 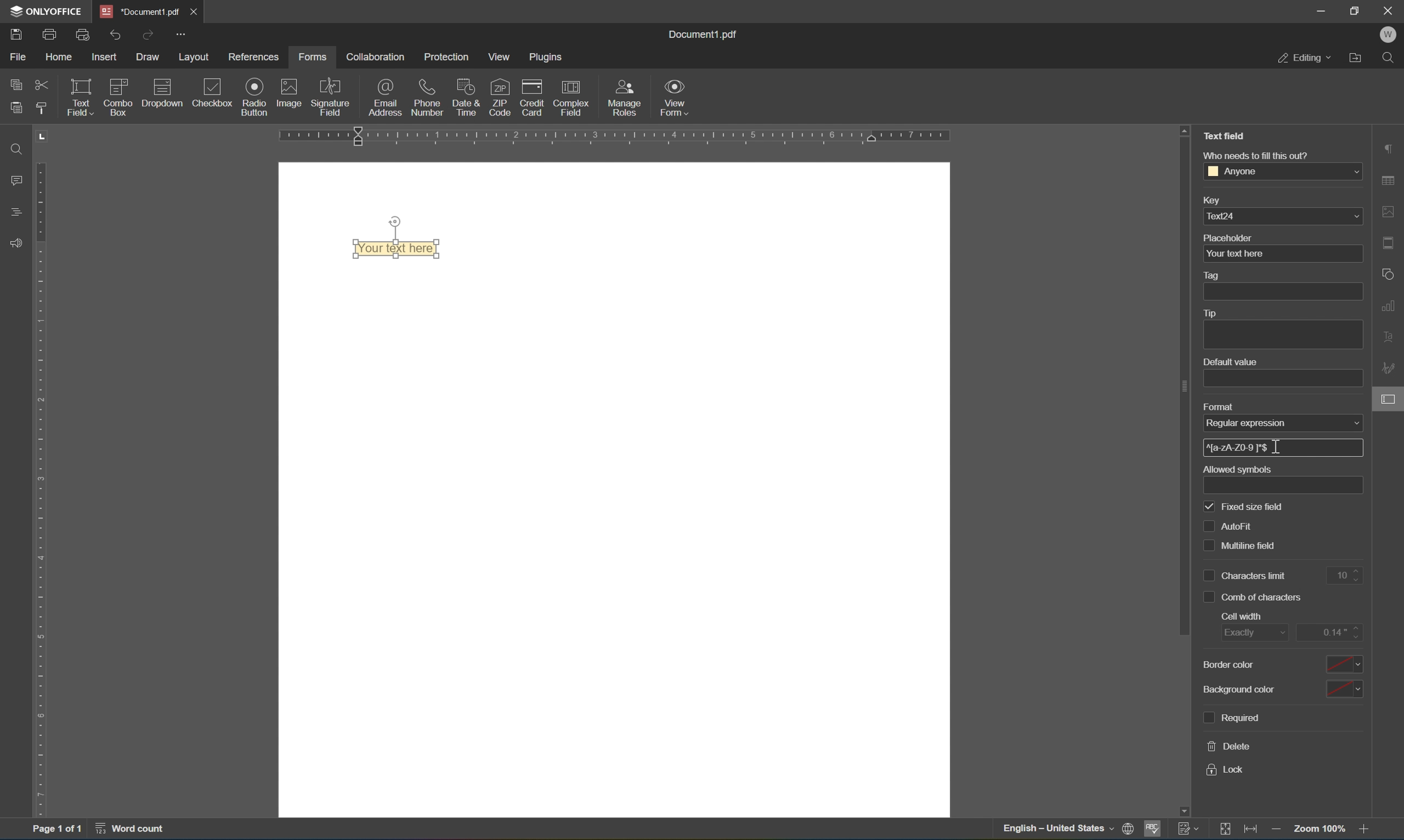 What do you see at coordinates (1230, 718) in the screenshot?
I see `required` at bounding box center [1230, 718].